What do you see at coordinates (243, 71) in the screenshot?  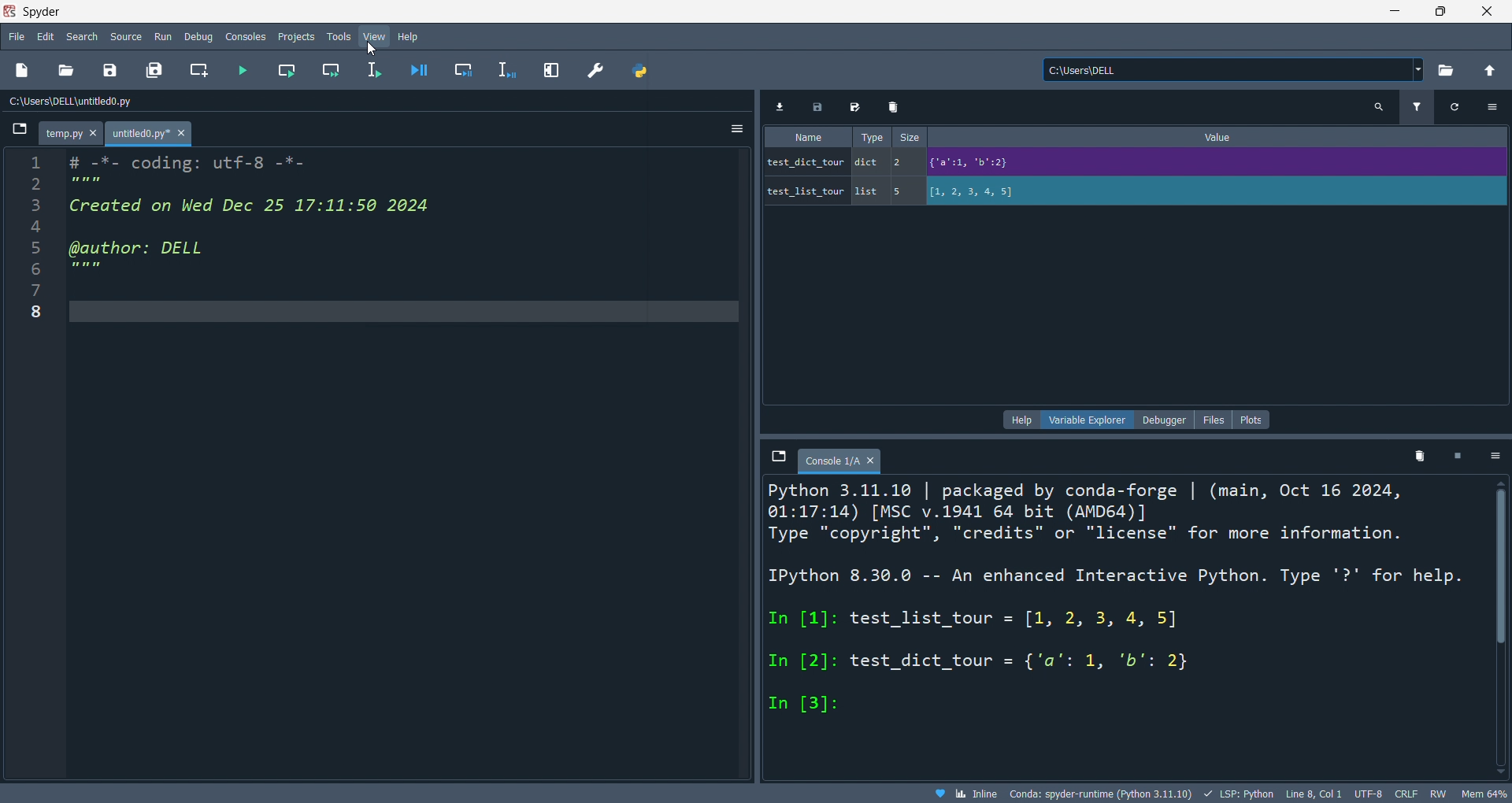 I see `run file` at bounding box center [243, 71].